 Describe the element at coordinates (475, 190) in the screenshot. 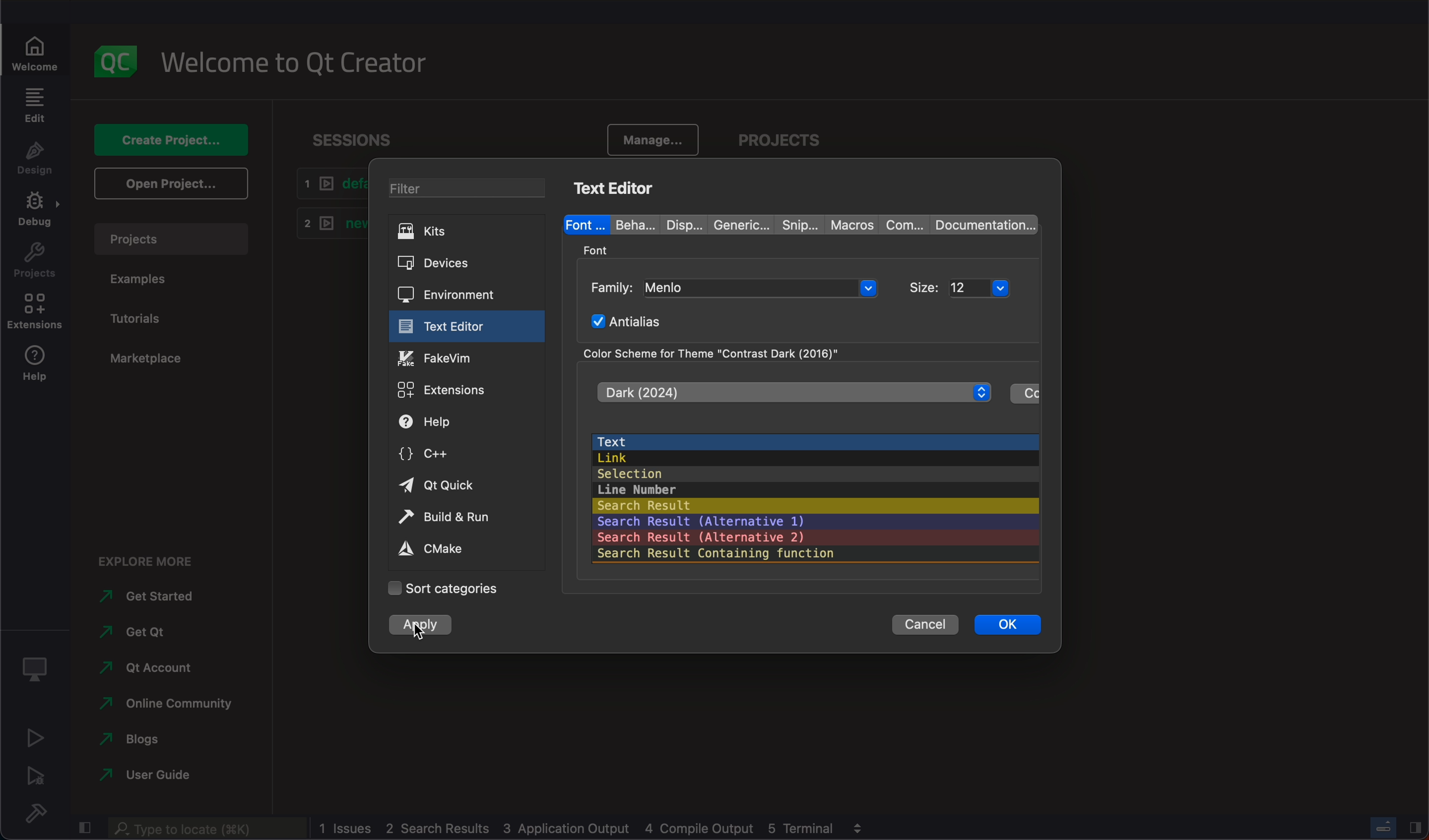

I see `filter` at that location.